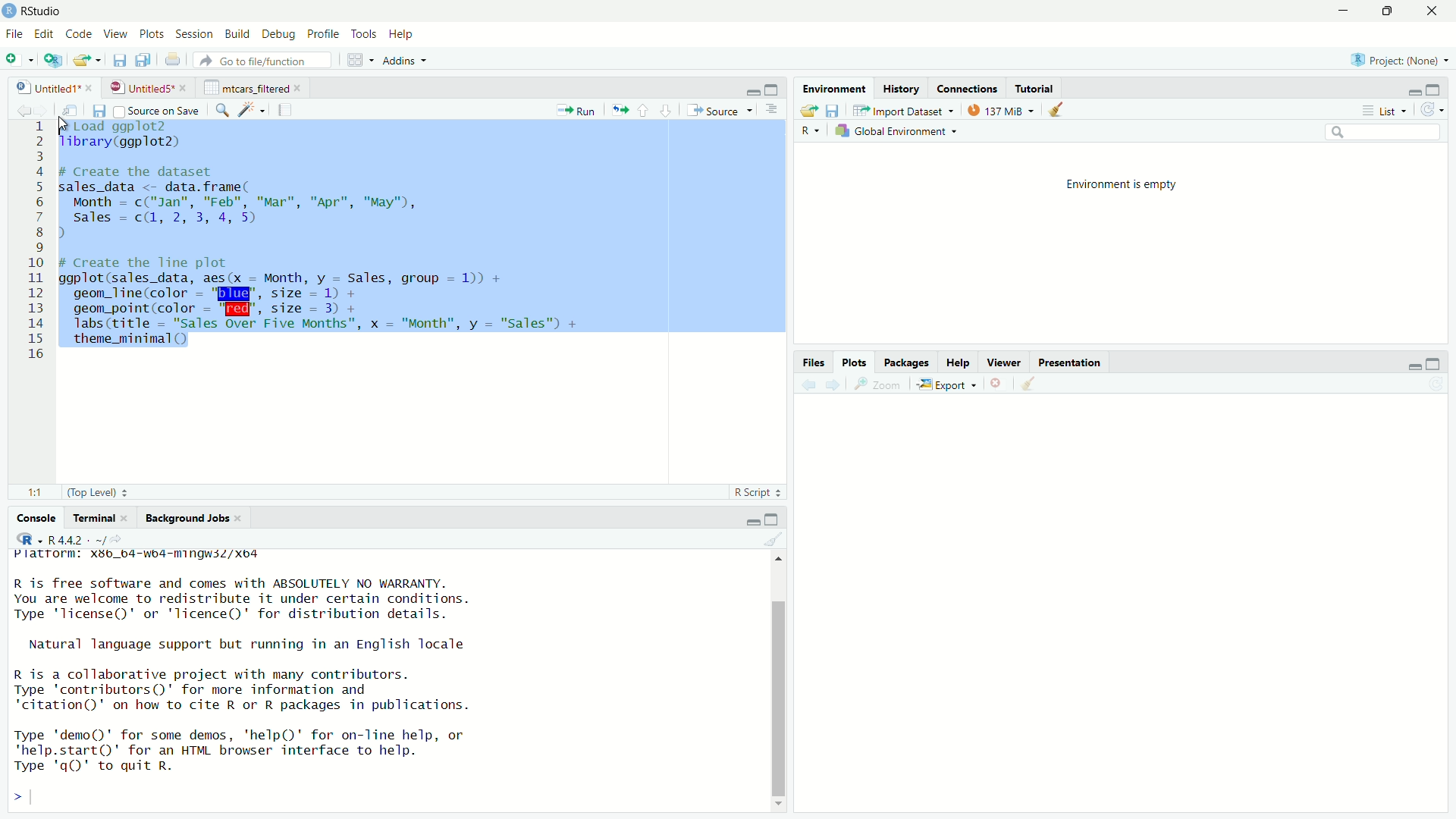 The width and height of the screenshot is (1456, 819). I want to click on maximize, so click(1393, 11).